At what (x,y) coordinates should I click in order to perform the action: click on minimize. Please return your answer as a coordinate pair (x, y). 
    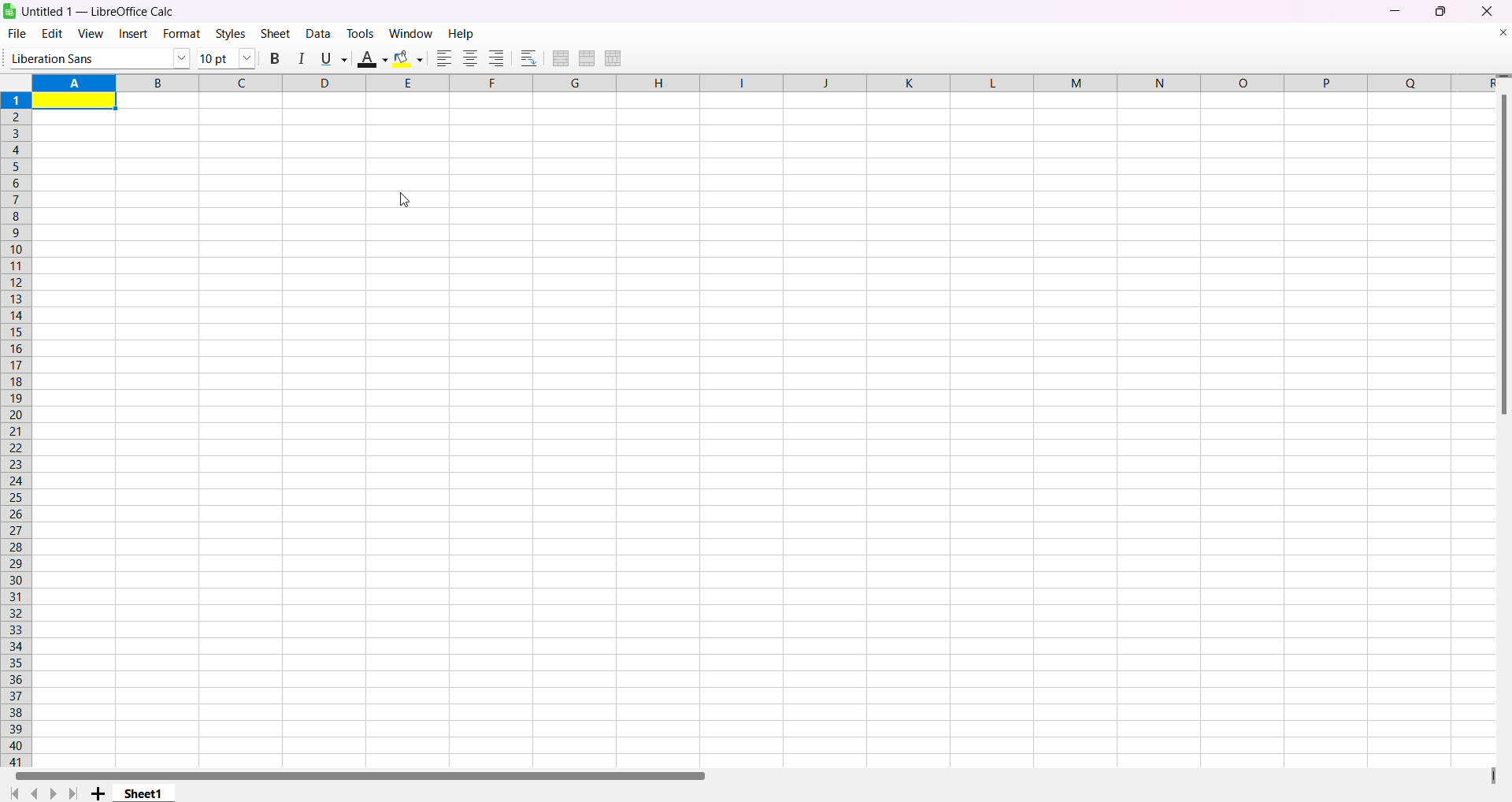
    Looking at the image, I should click on (1398, 14).